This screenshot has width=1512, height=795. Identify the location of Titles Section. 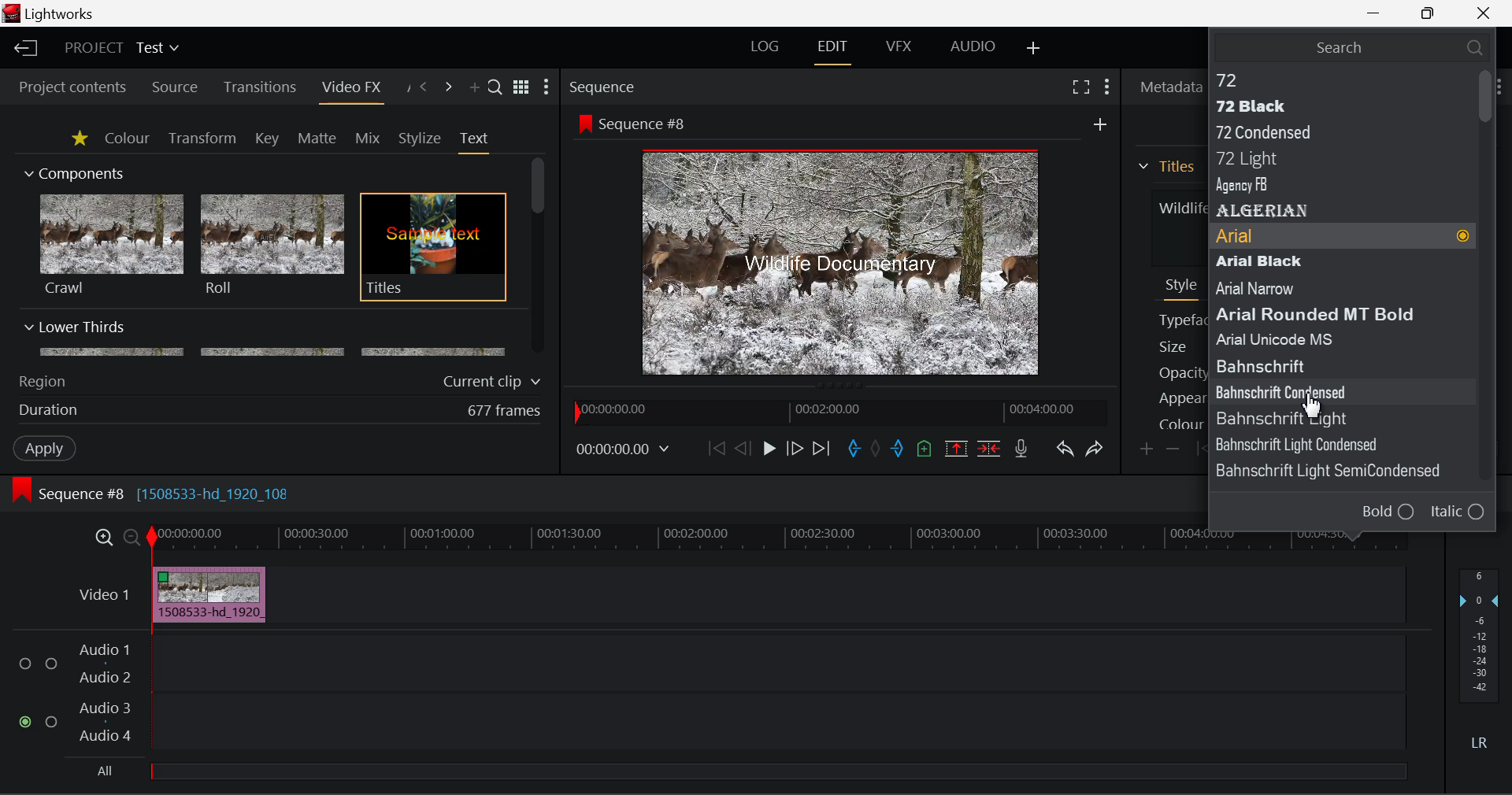
(1166, 166).